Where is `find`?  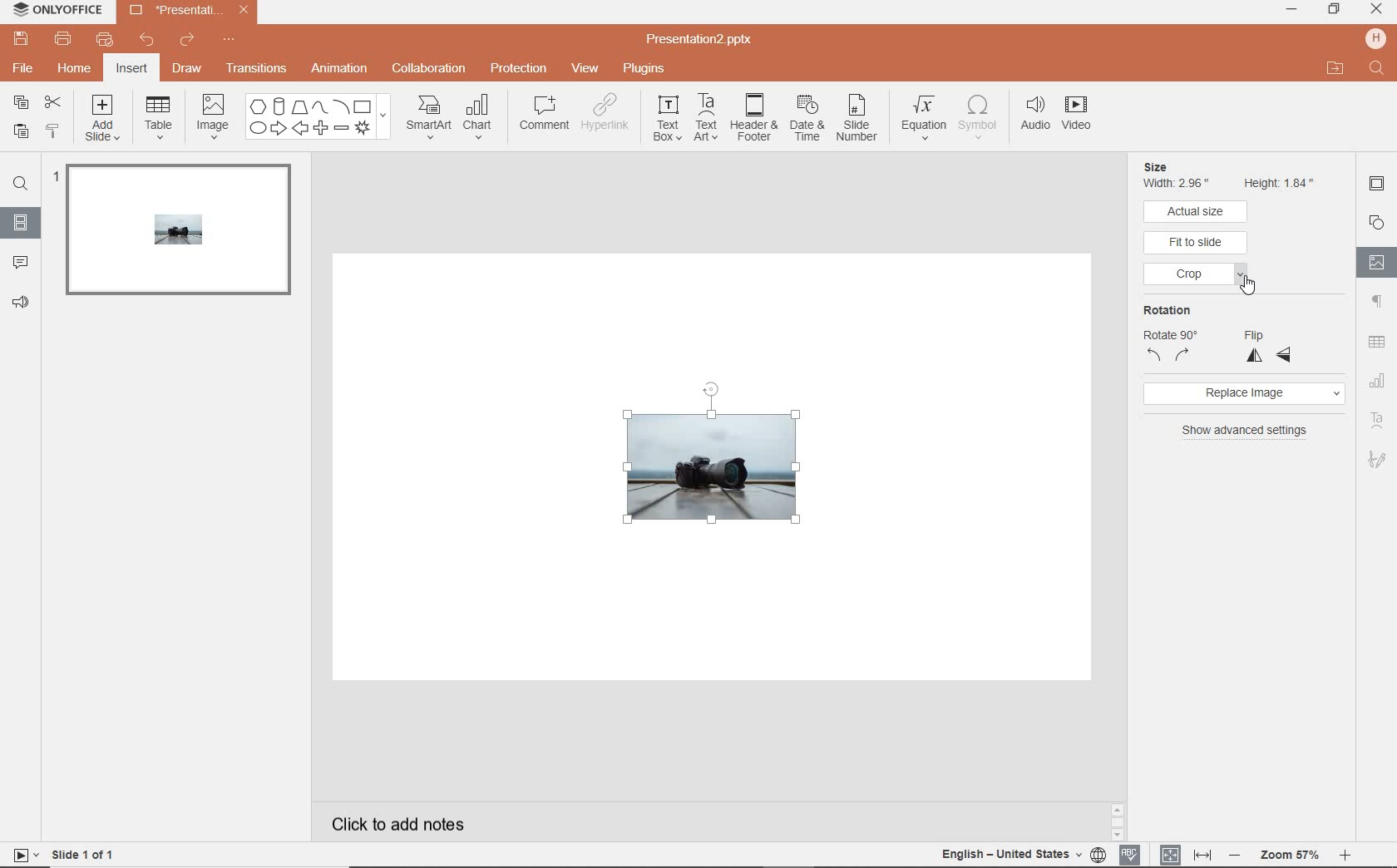
find is located at coordinates (21, 182).